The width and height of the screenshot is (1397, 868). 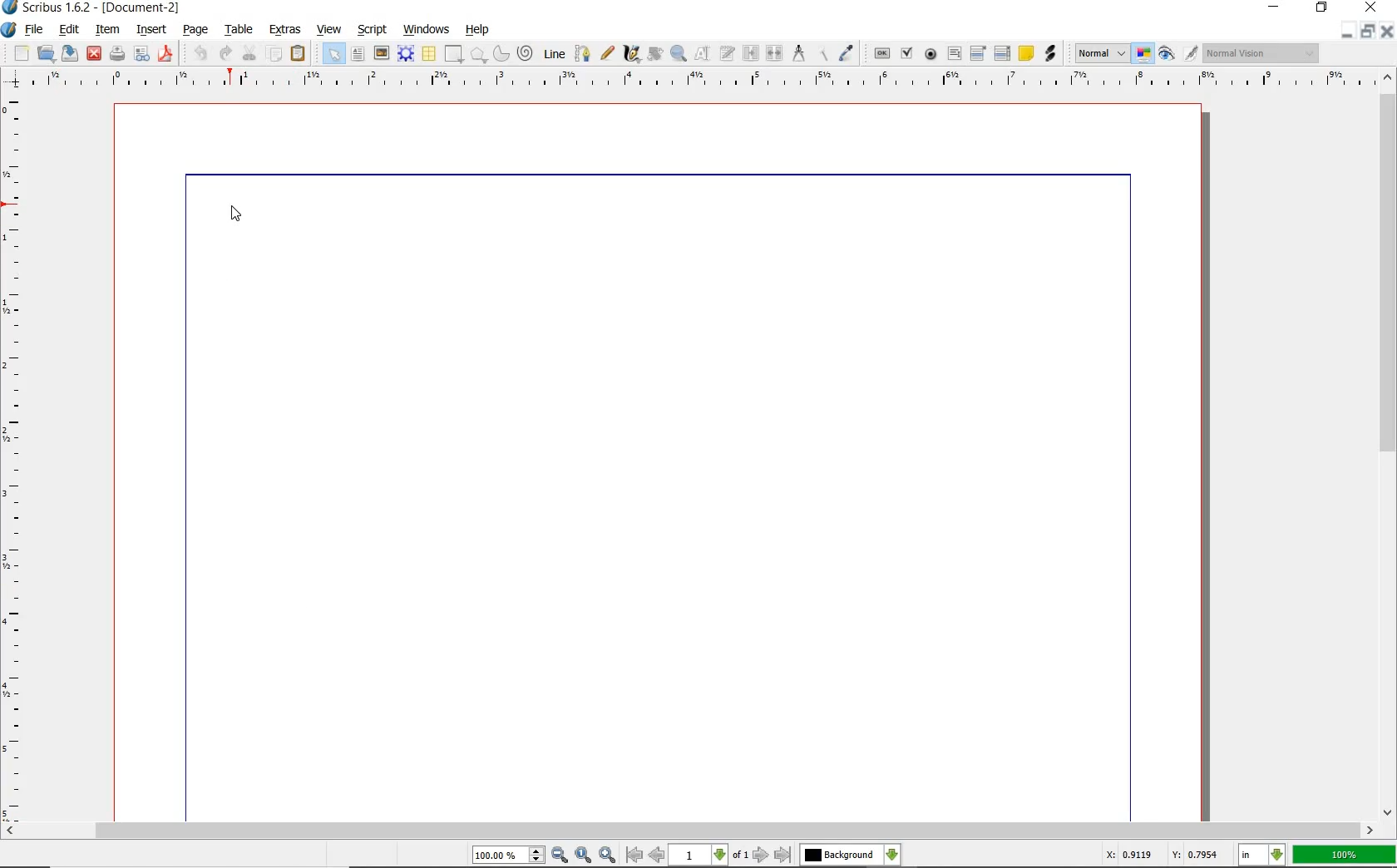 I want to click on go to last page, so click(x=782, y=855).